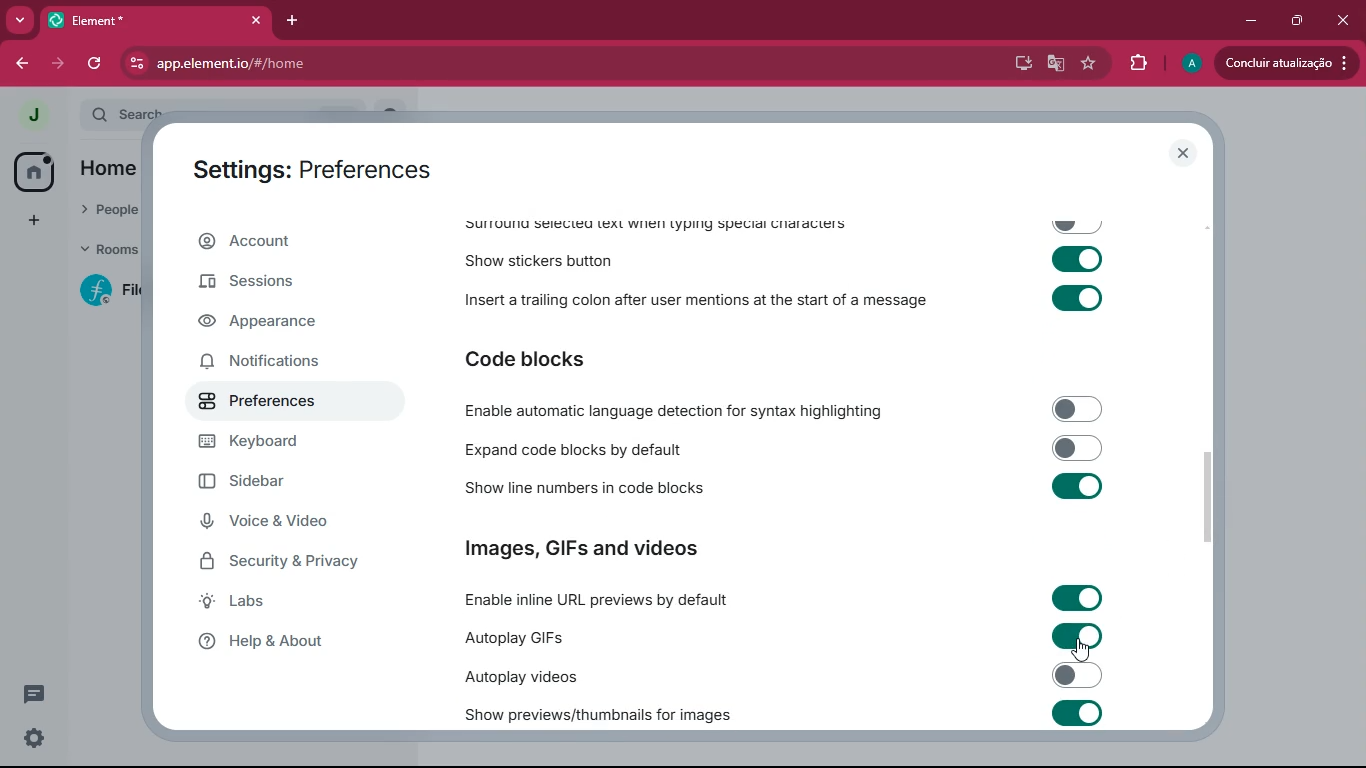  Describe the element at coordinates (783, 676) in the screenshot. I see `Autoplay videos` at that location.